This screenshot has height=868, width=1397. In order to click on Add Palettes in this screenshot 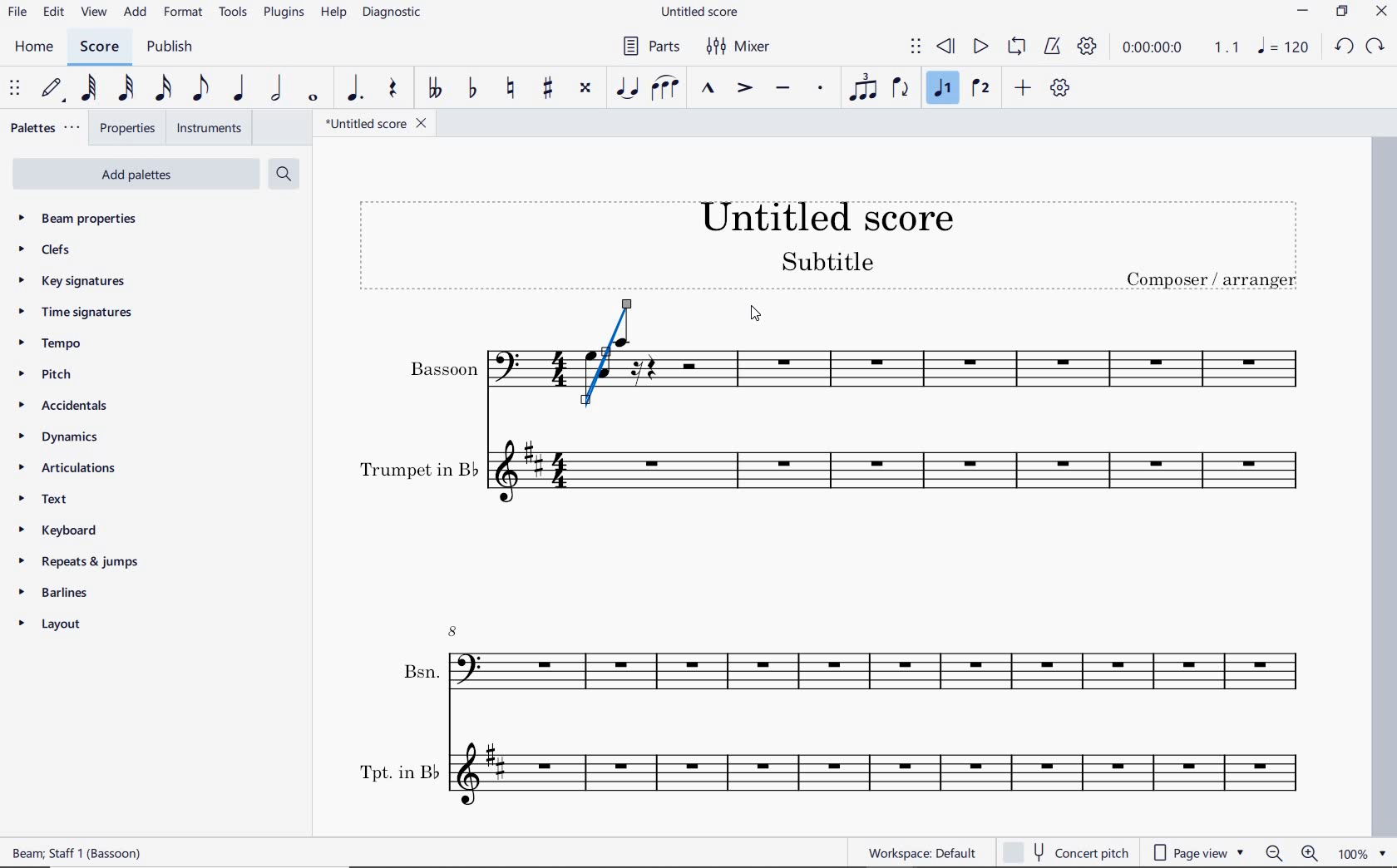, I will do `click(136, 172)`.